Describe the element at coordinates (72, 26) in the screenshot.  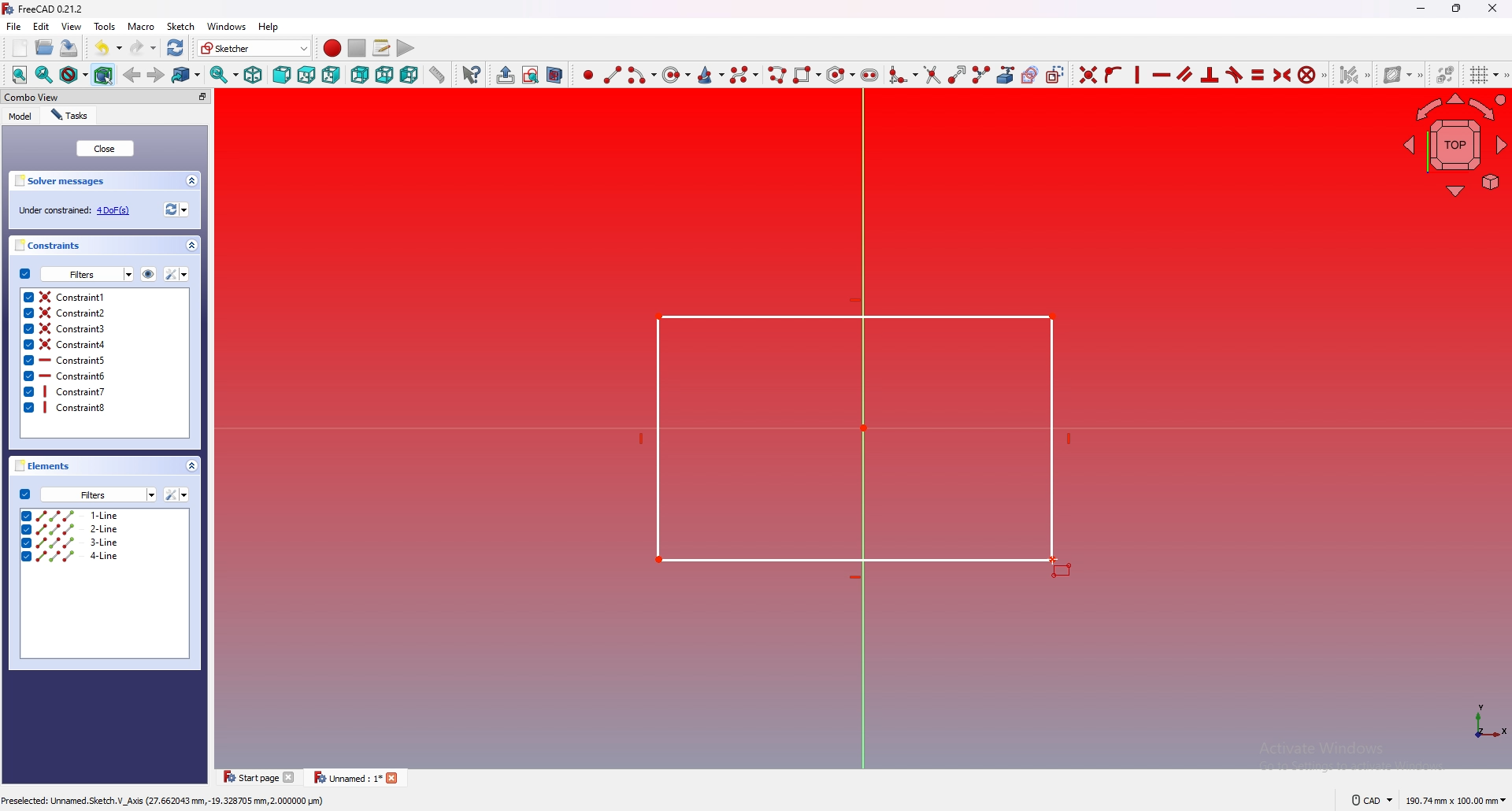
I see `view` at that location.